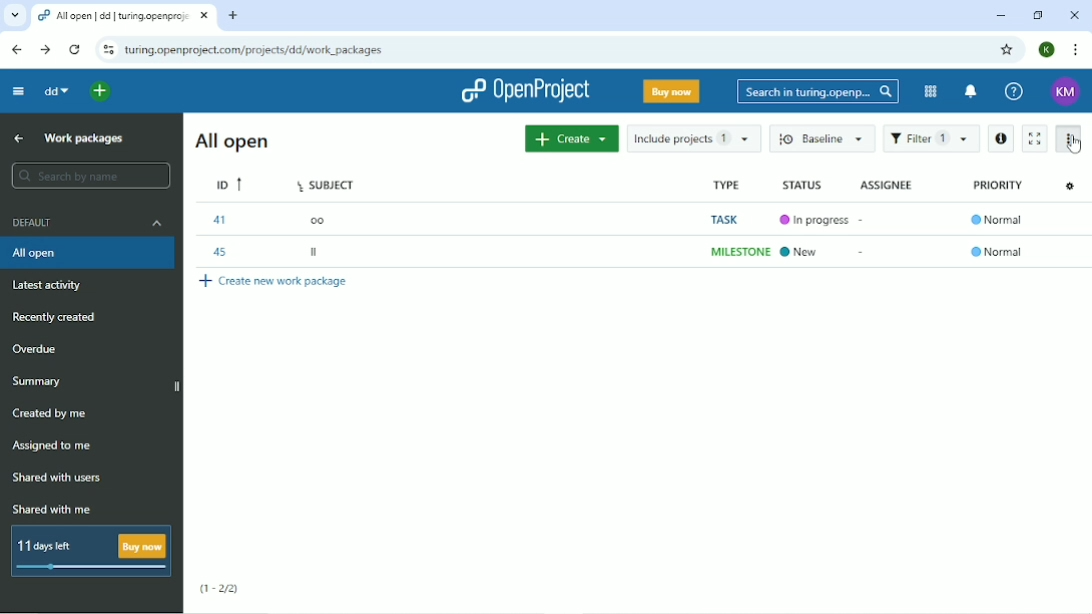 This screenshot has height=614, width=1092. What do you see at coordinates (317, 250) in the screenshot?
I see `ll` at bounding box center [317, 250].